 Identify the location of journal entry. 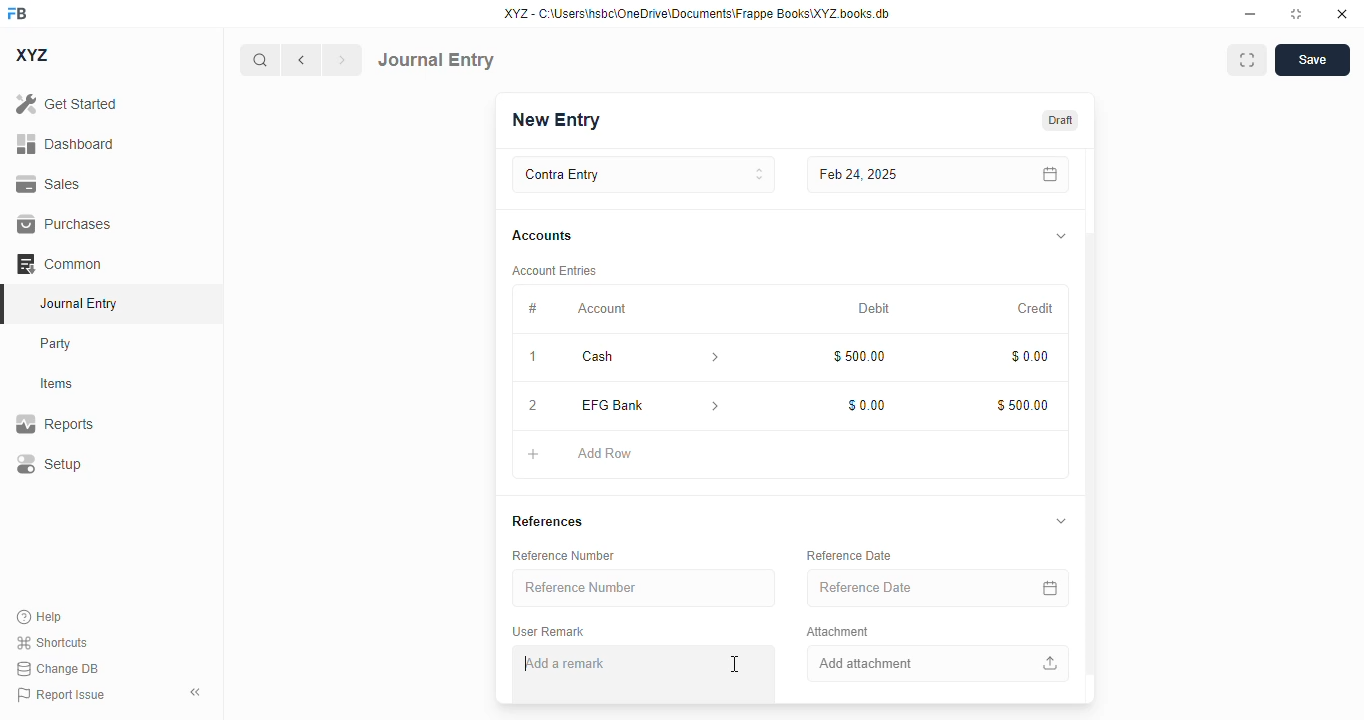
(80, 303).